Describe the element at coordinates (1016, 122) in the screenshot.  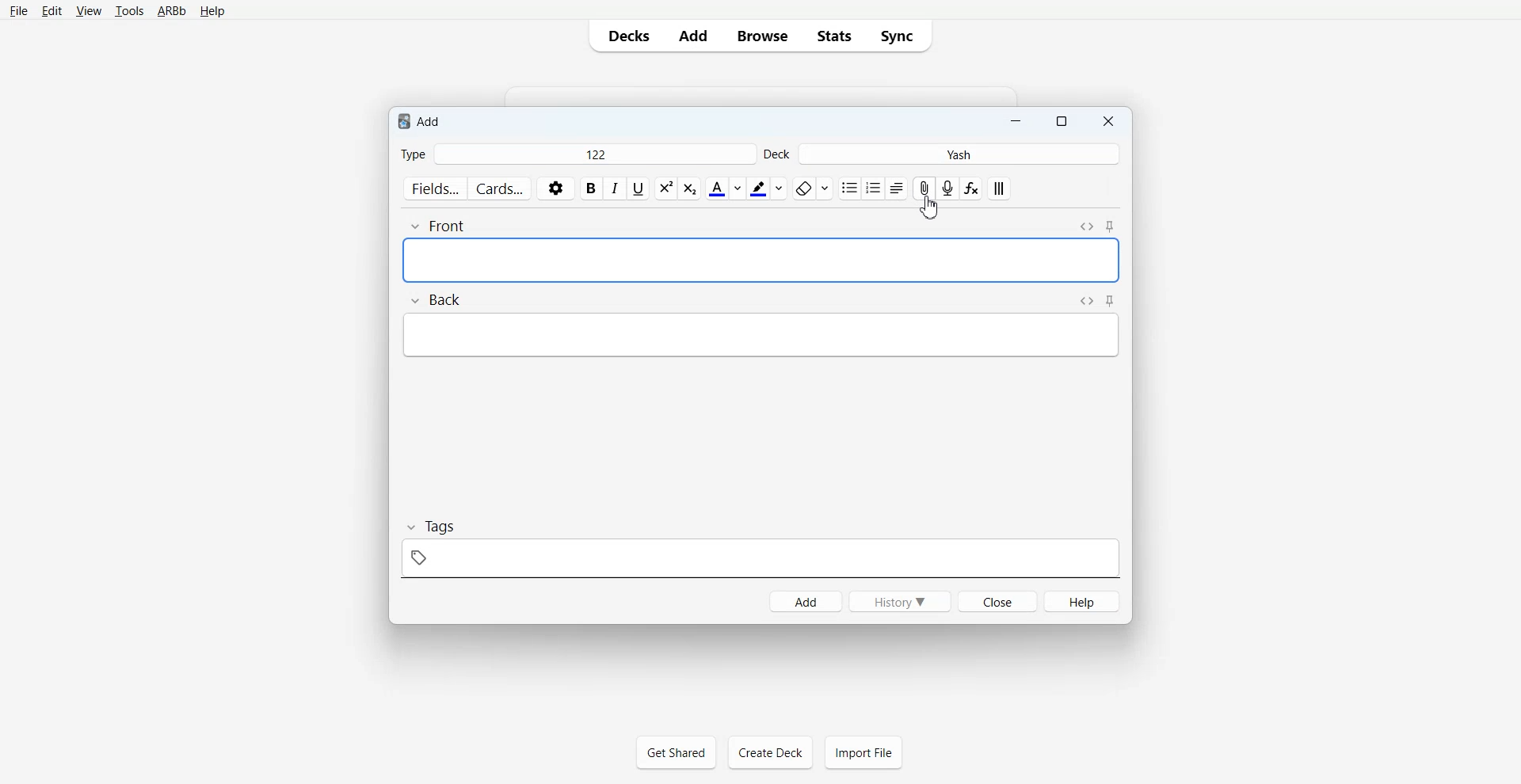
I see `Minimize` at that location.